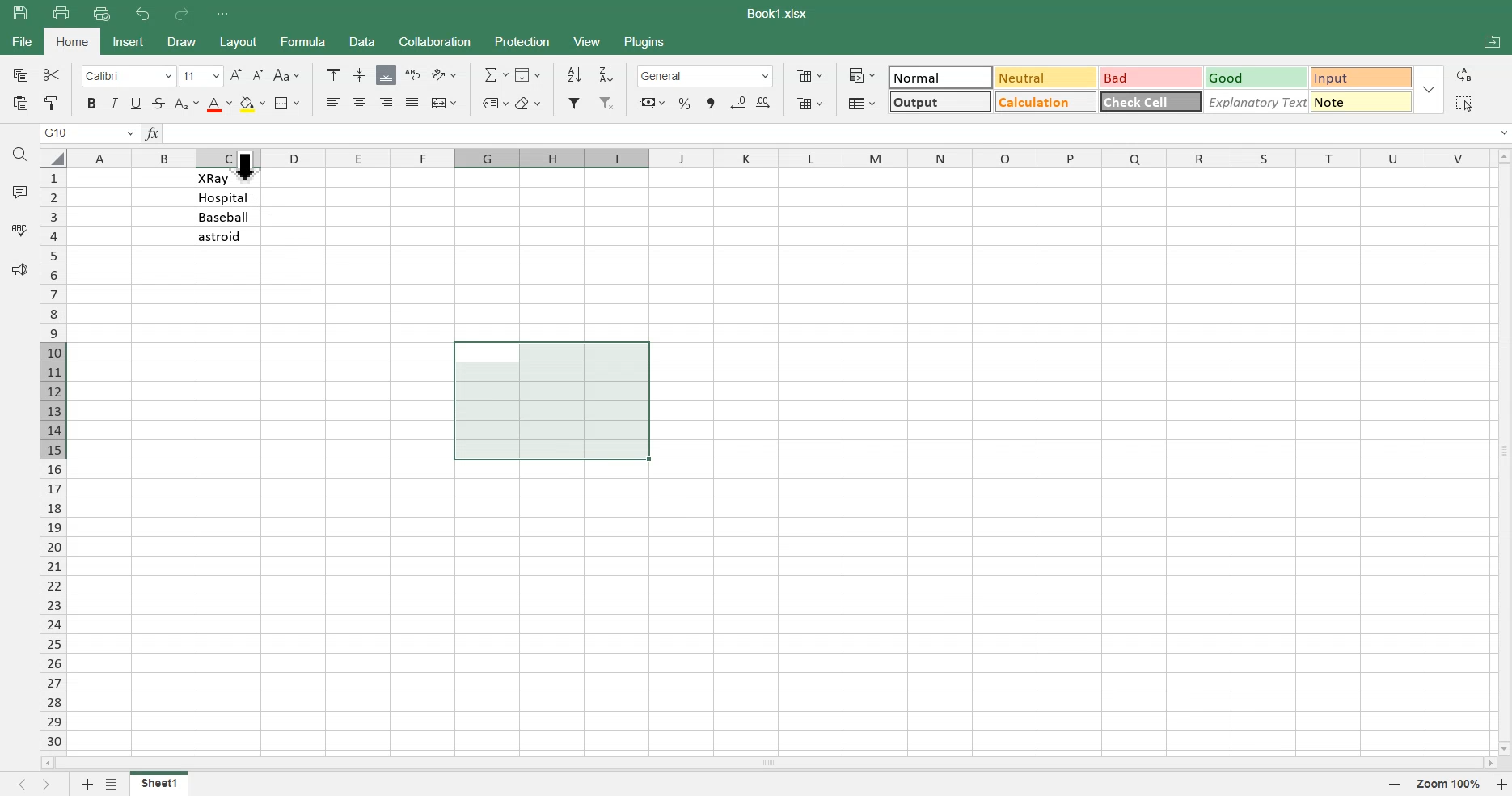 This screenshot has height=796, width=1512. What do you see at coordinates (492, 102) in the screenshot?
I see `Named Range` at bounding box center [492, 102].